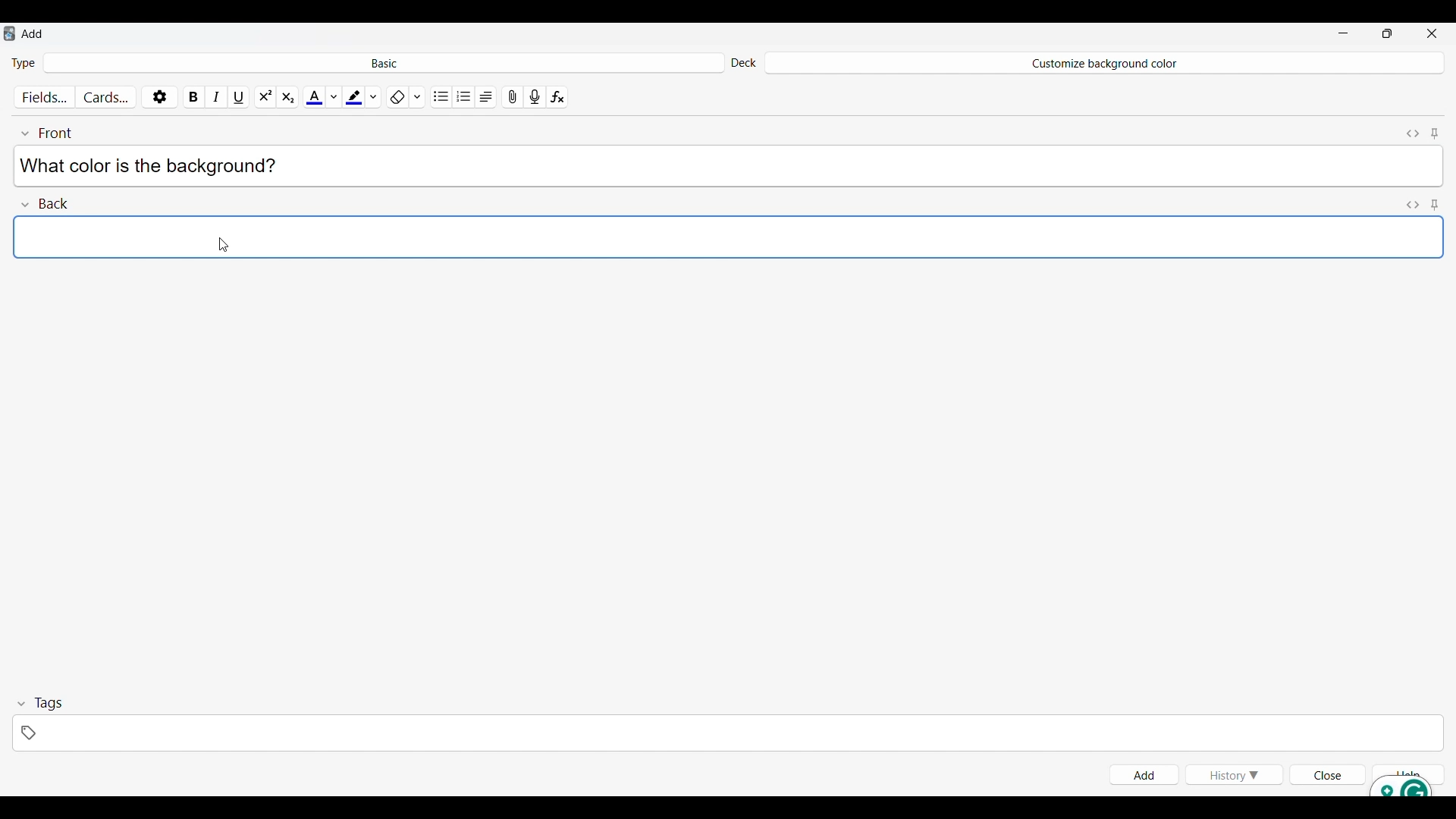  What do you see at coordinates (743, 63) in the screenshot?
I see `Indicates Deck settings` at bounding box center [743, 63].